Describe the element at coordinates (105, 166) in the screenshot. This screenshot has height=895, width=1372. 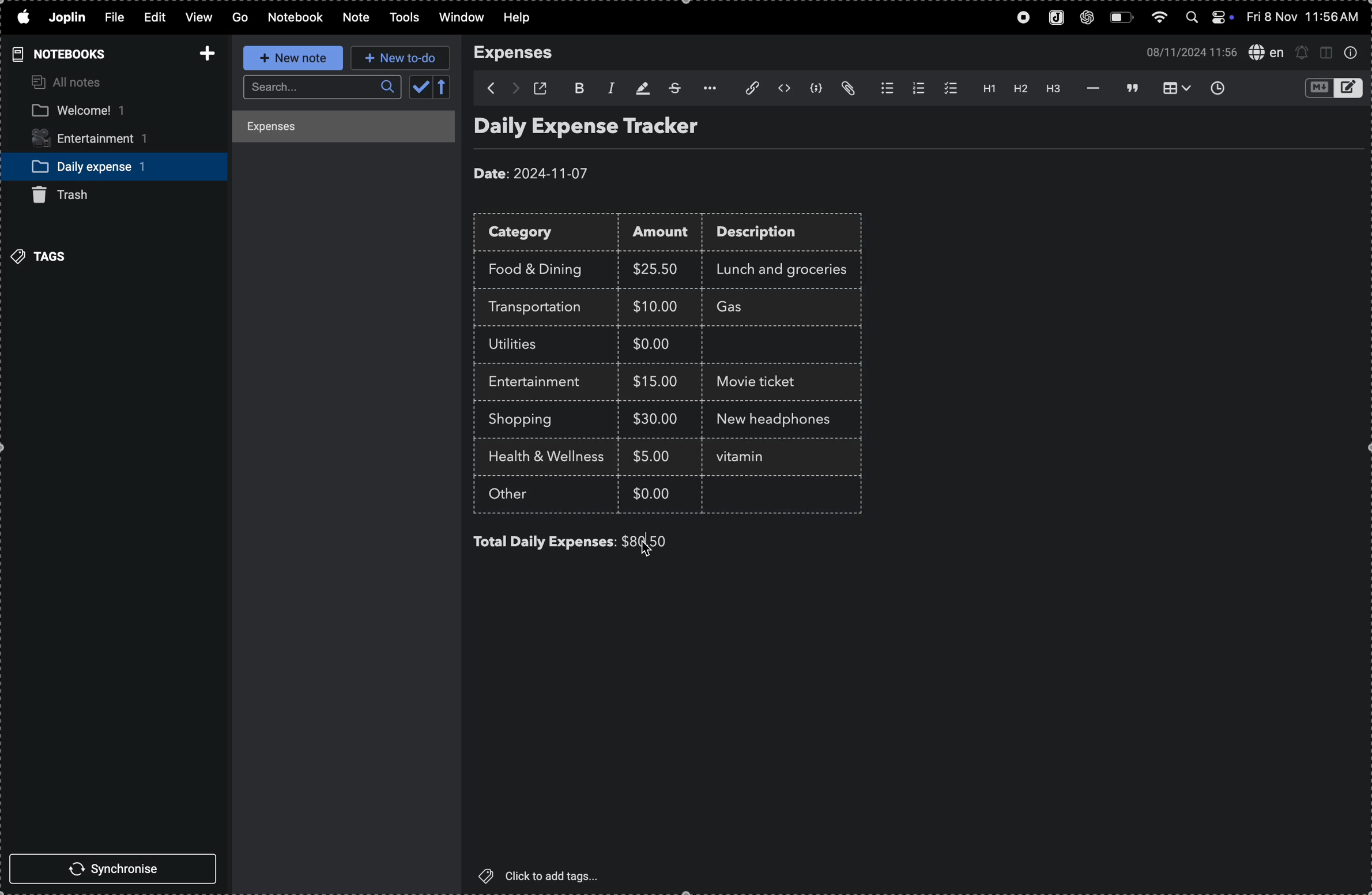
I see `daily expense notebook` at that location.